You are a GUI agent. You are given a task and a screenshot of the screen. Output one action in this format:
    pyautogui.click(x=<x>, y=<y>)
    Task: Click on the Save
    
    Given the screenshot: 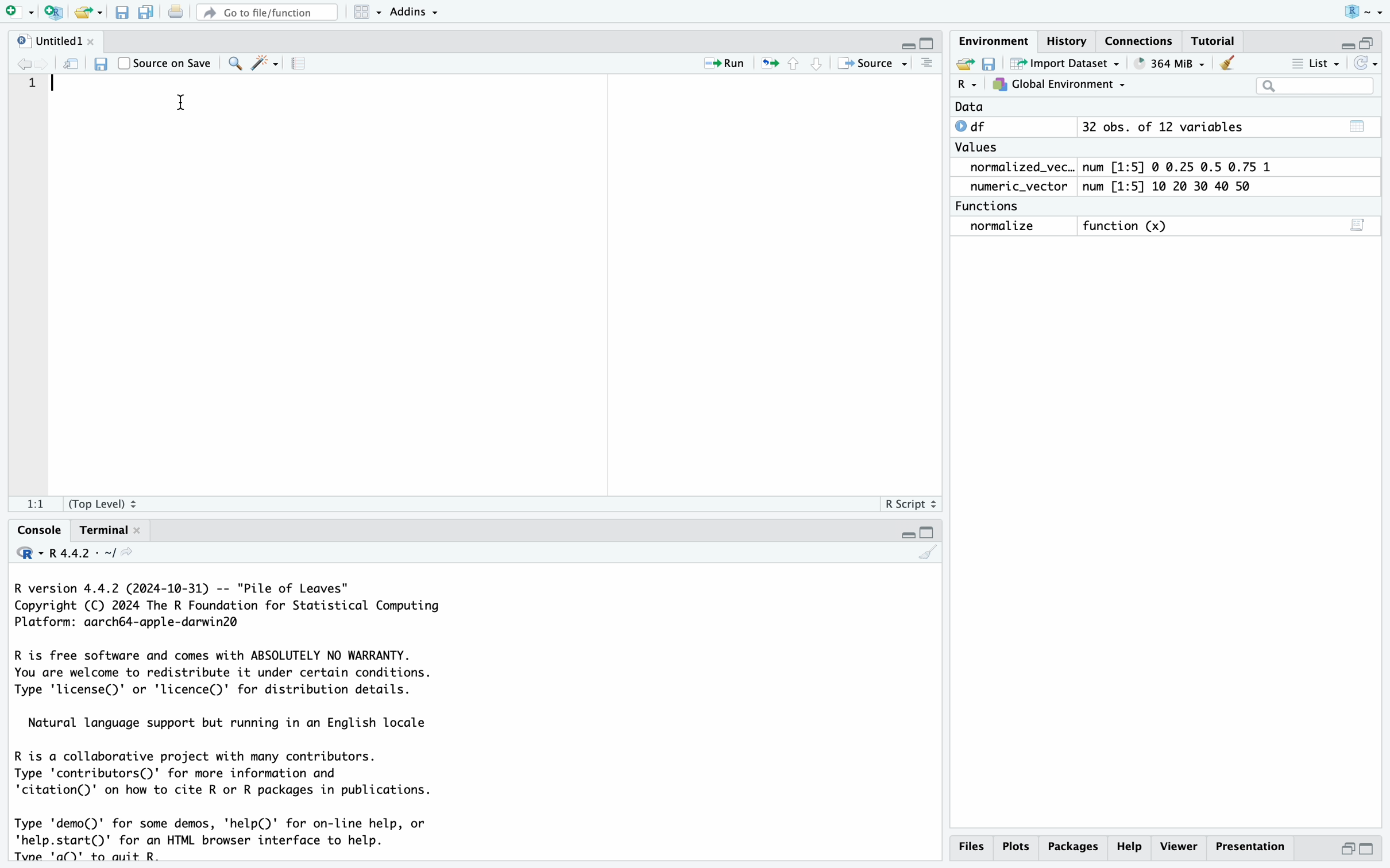 What is the action you would take?
    pyautogui.click(x=990, y=63)
    